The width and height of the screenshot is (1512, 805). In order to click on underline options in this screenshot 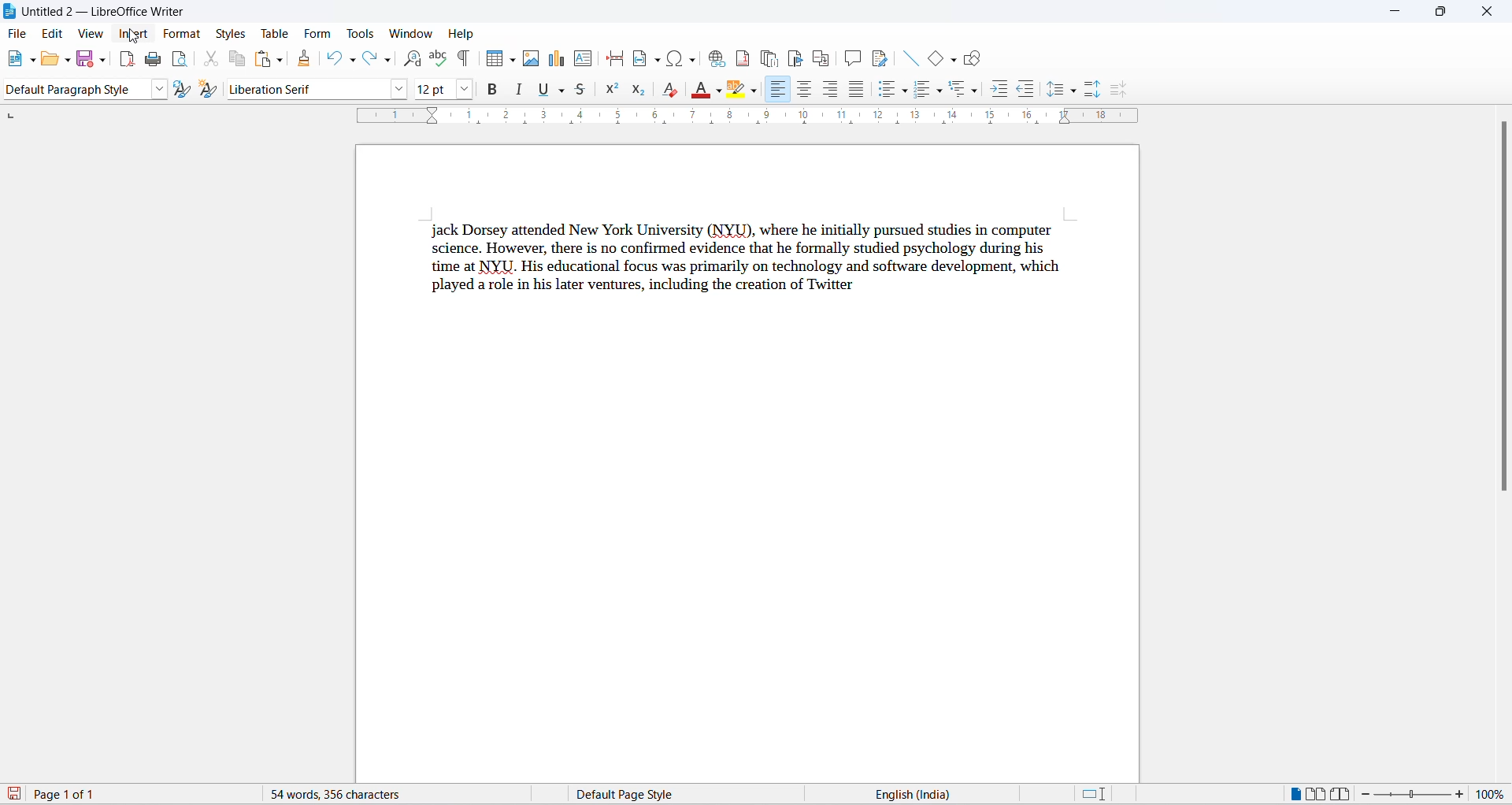, I will do `click(560, 91)`.